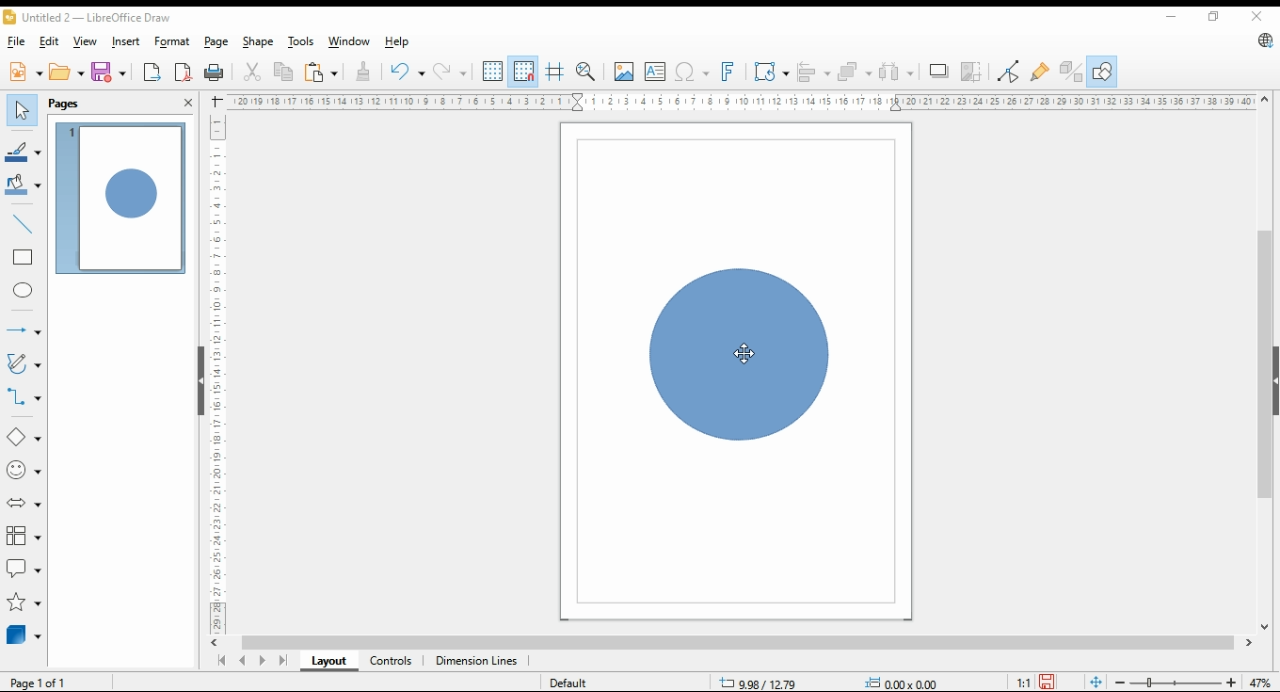  I want to click on lines and arrows, so click(23, 329).